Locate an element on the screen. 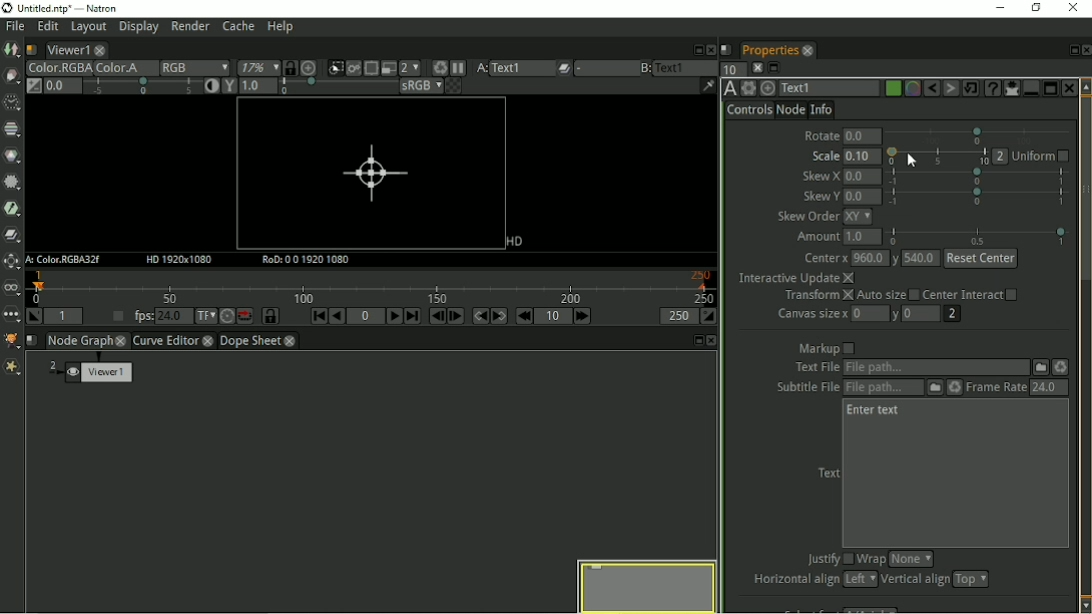  Curve editor is located at coordinates (173, 342).